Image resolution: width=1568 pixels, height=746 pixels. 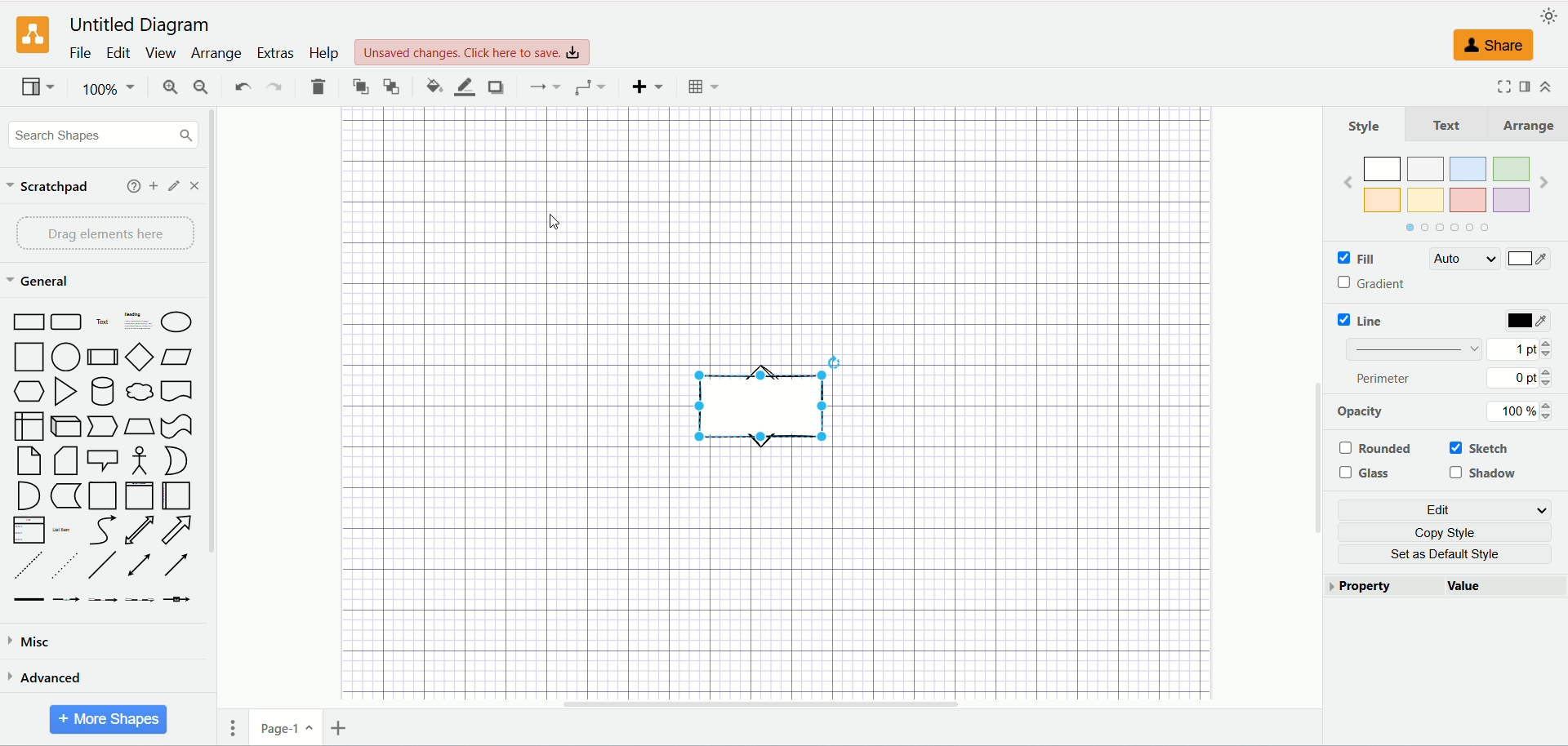 What do you see at coordinates (1529, 350) in the screenshot?
I see `1 pt` at bounding box center [1529, 350].